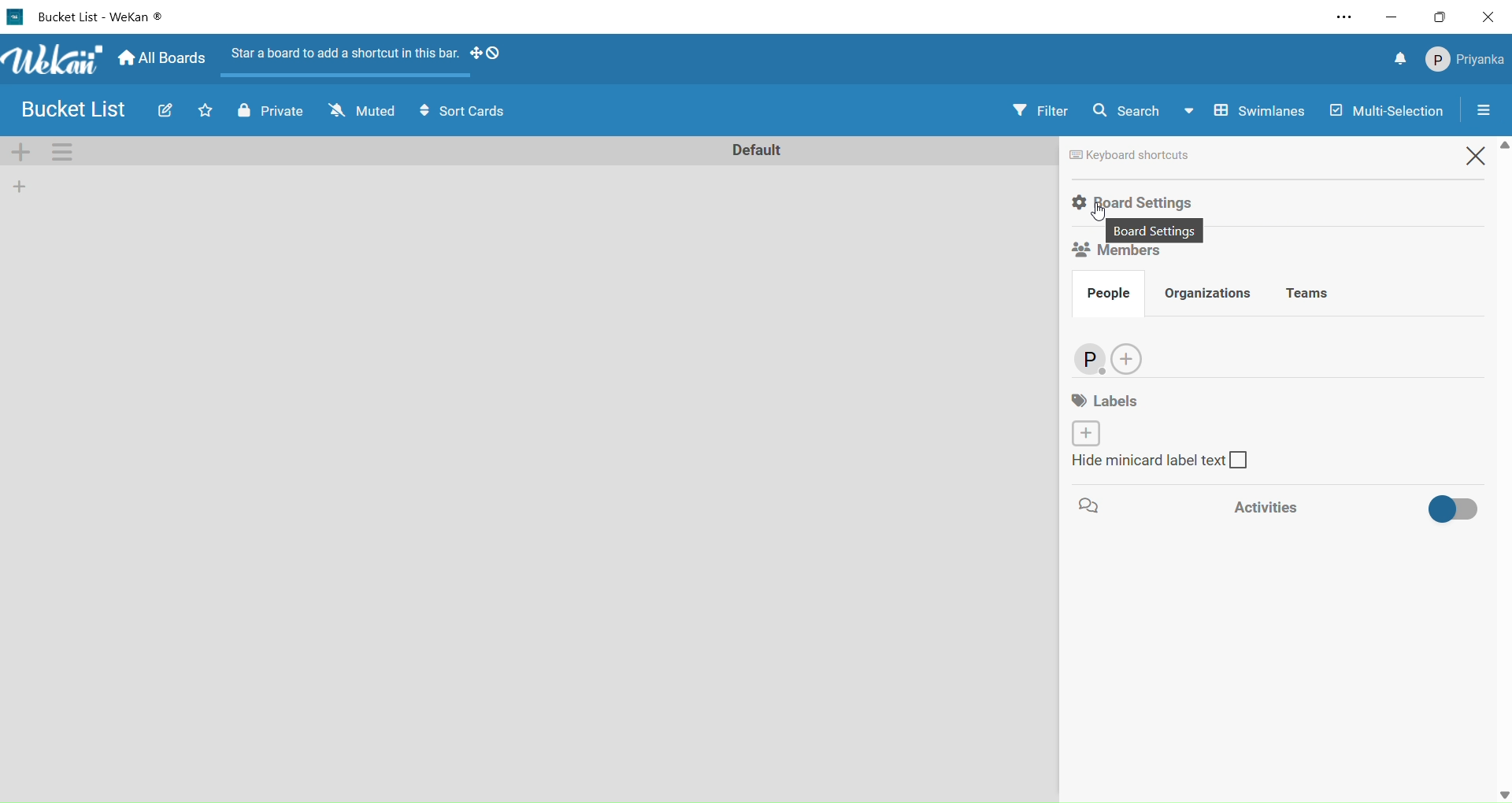 The image size is (1512, 803). Describe the element at coordinates (206, 110) in the screenshot. I see `click to star this board. Starred board shows up at the top of your board list.` at that location.